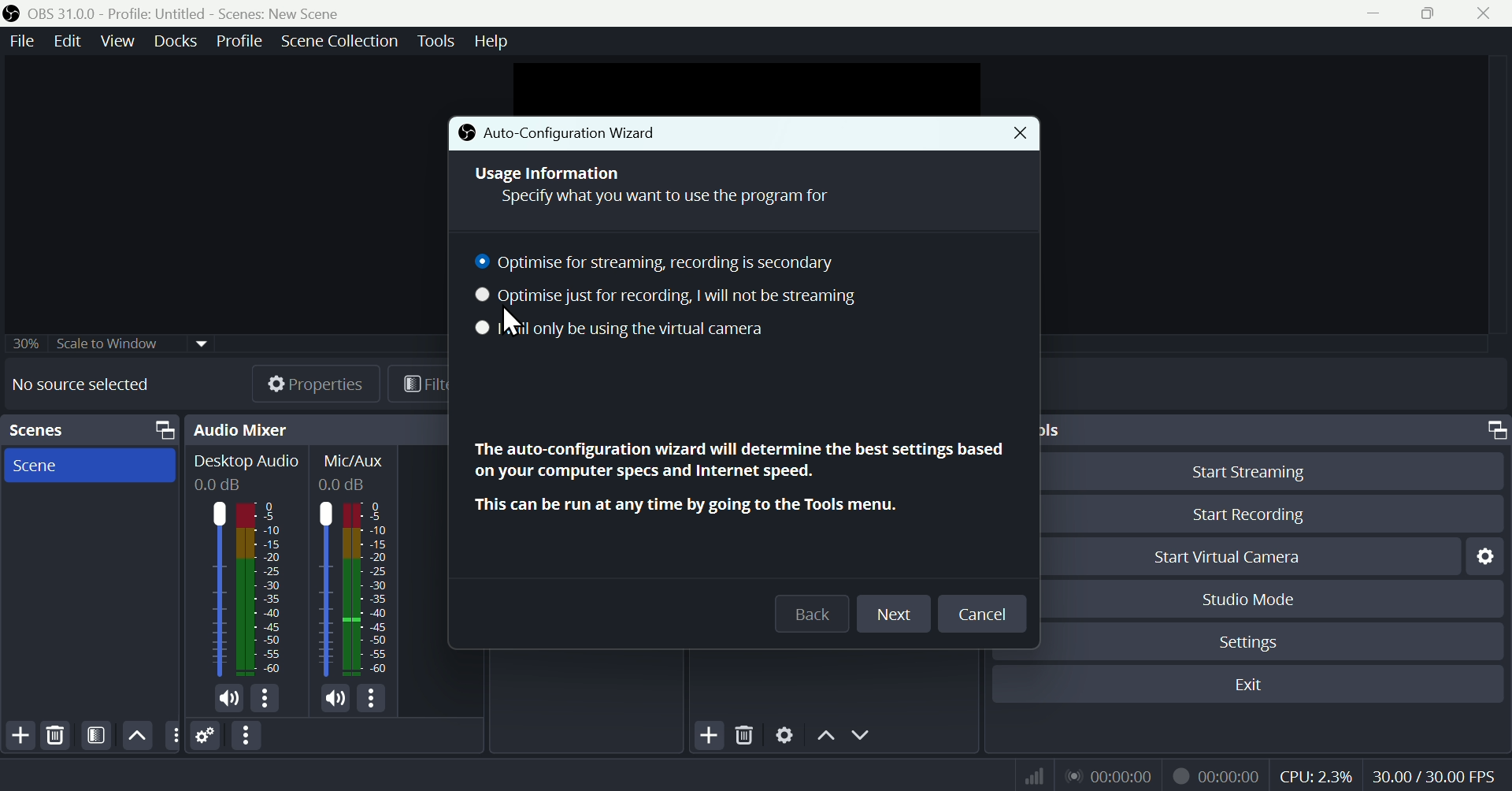 This screenshot has width=1512, height=791. What do you see at coordinates (206, 735) in the screenshot?
I see `Settings` at bounding box center [206, 735].